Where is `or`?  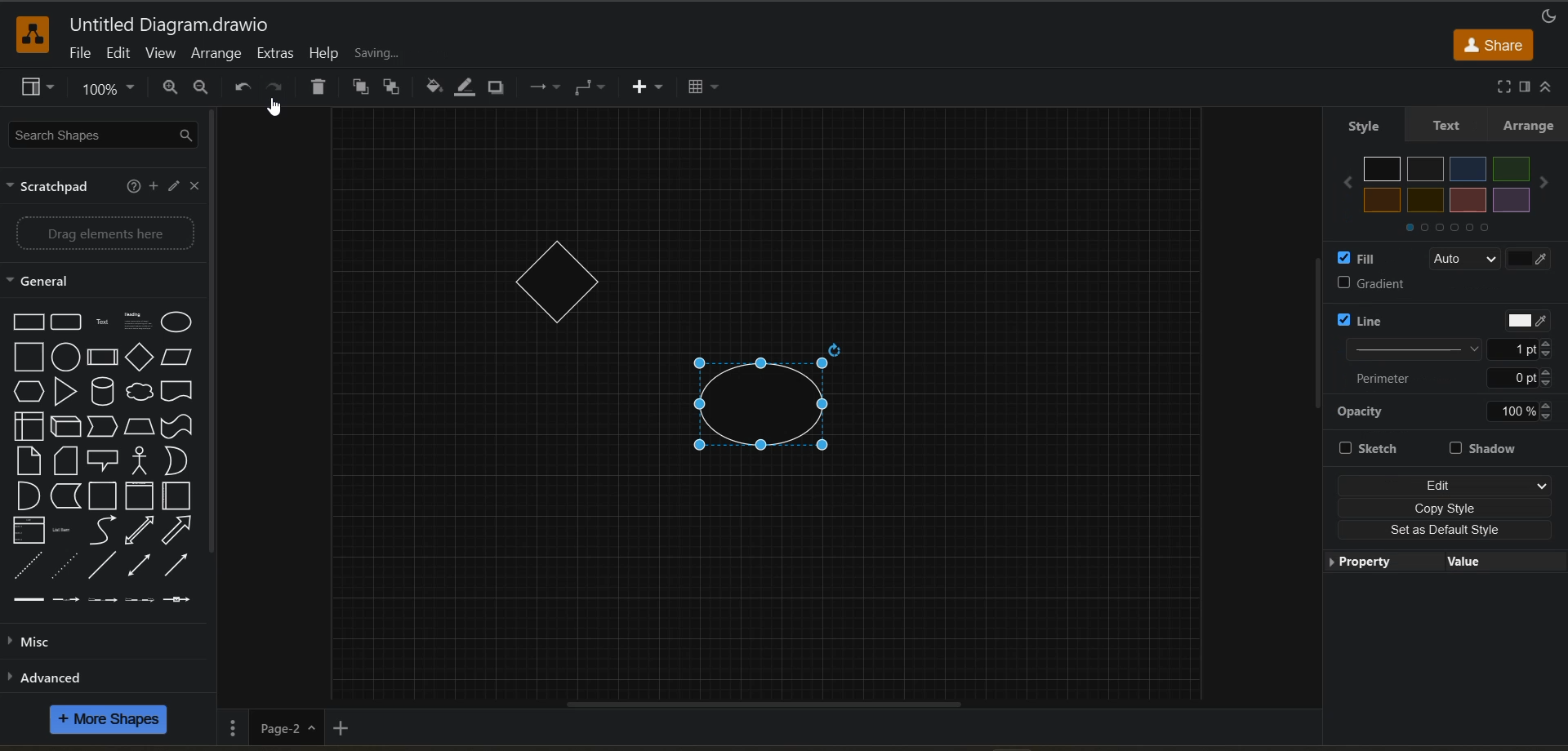 or is located at coordinates (175, 460).